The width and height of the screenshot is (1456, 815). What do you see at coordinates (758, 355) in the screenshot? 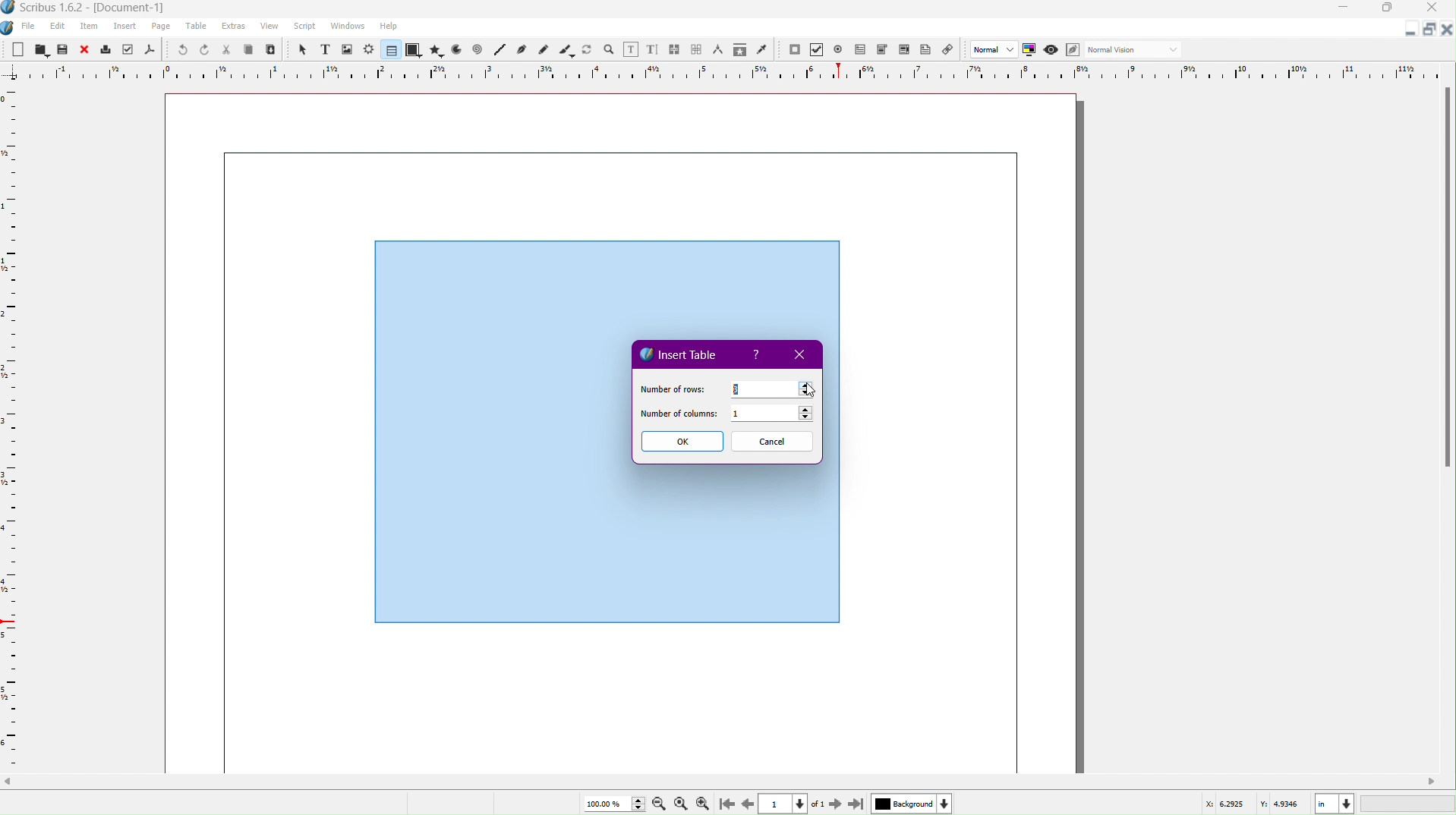
I see `Help` at bounding box center [758, 355].